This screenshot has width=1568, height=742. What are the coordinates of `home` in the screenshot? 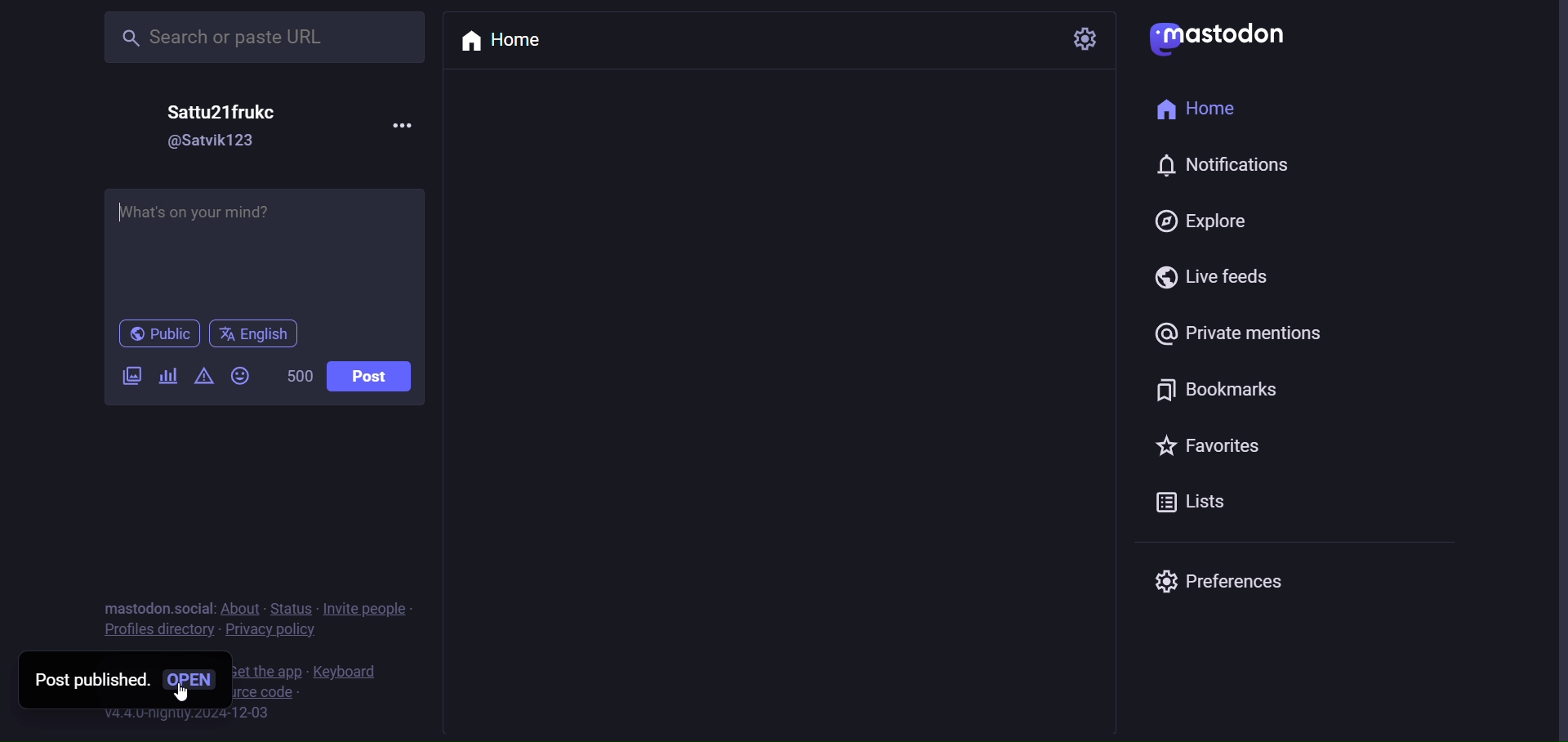 It's located at (1198, 103).